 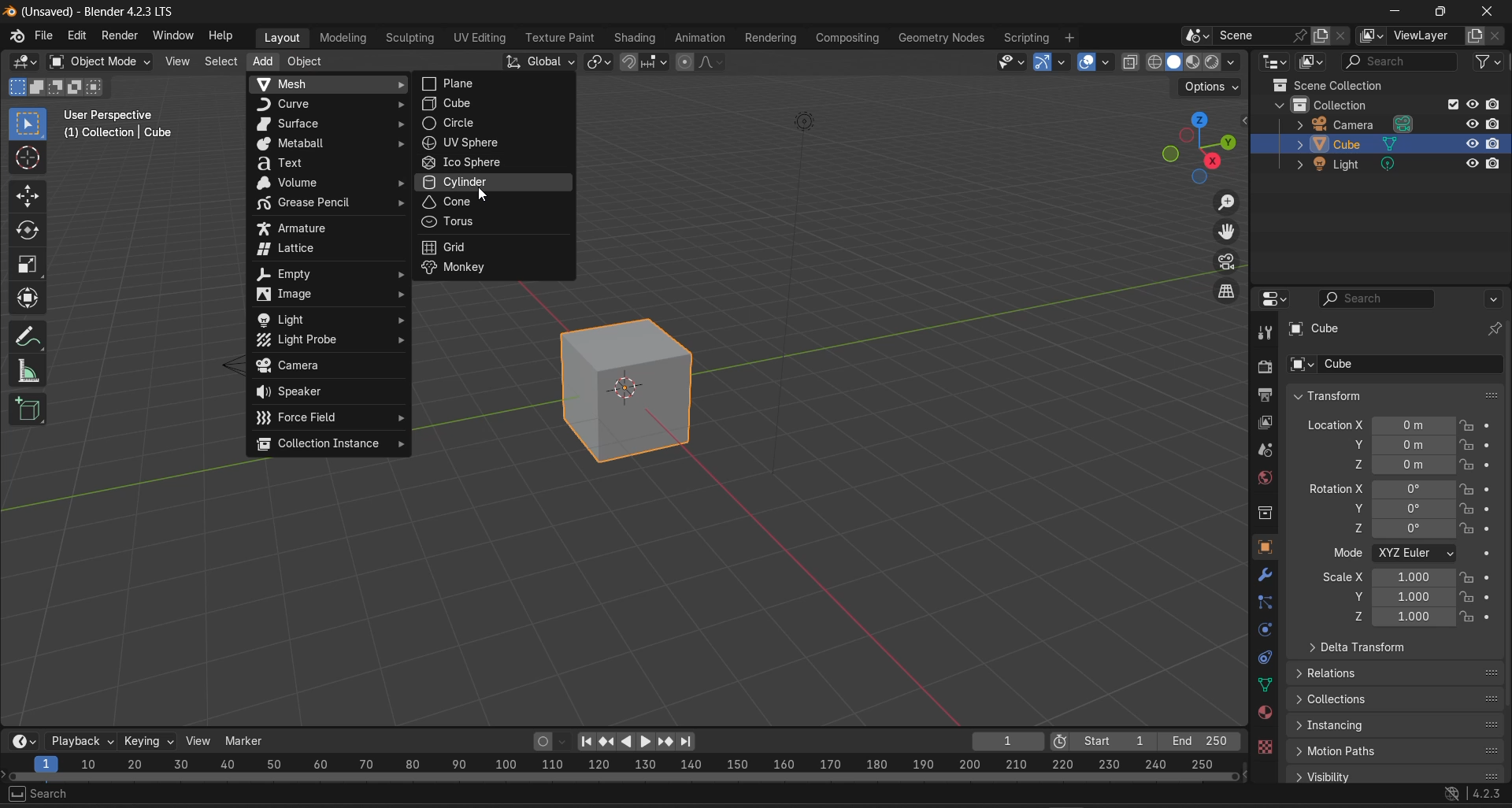 I want to click on world, so click(x=1263, y=478).